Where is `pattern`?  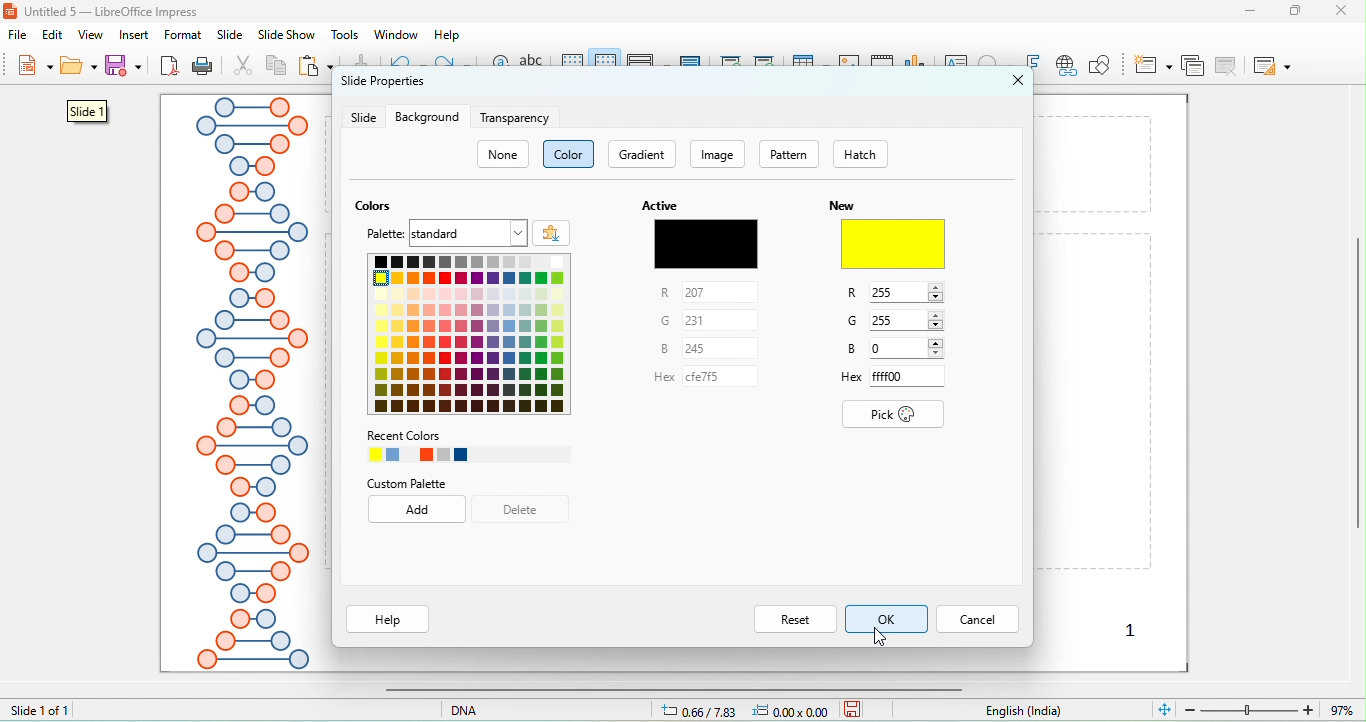 pattern is located at coordinates (789, 155).